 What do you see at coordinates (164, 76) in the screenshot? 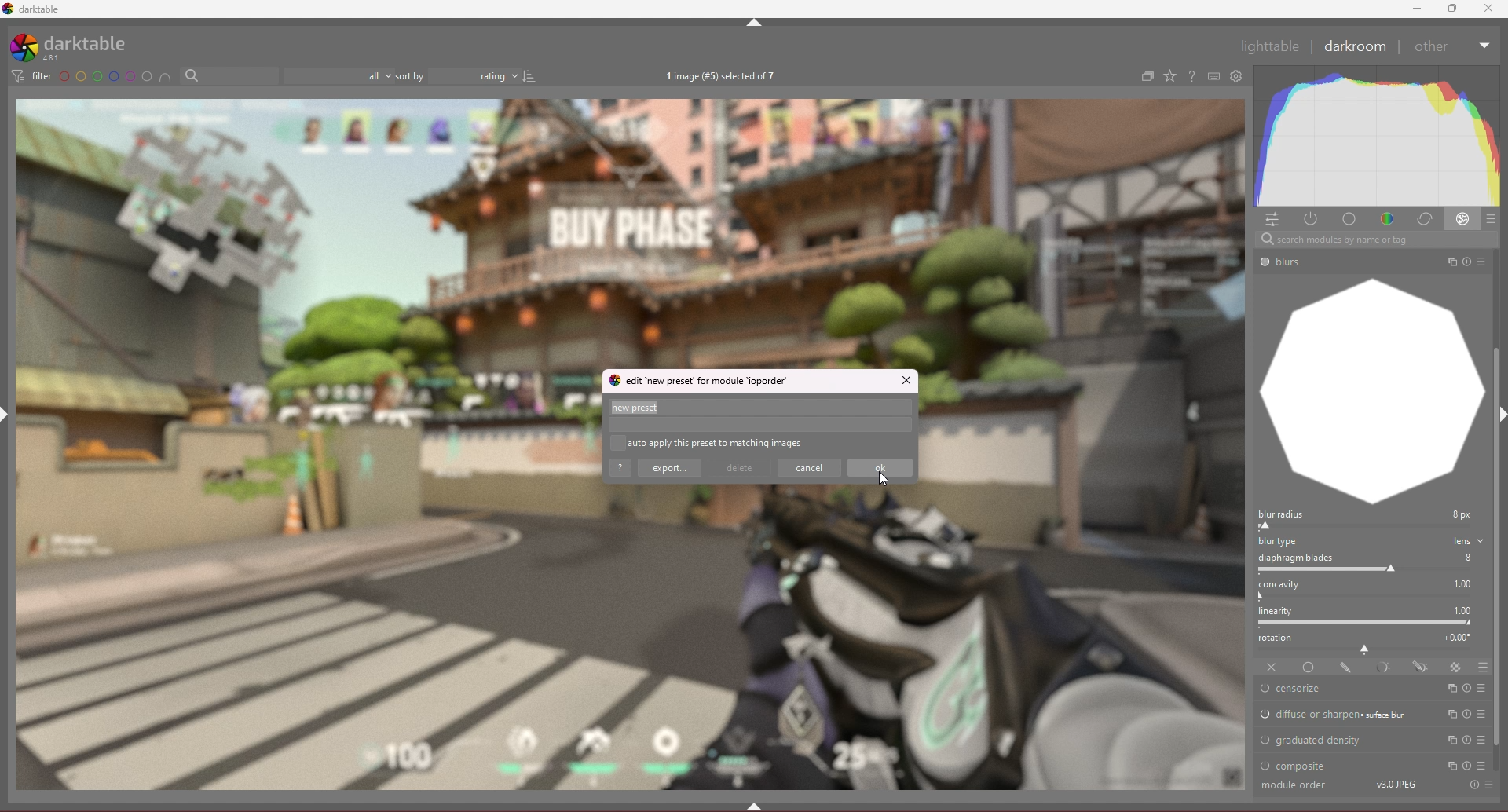
I see `include color label` at bounding box center [164, 76].